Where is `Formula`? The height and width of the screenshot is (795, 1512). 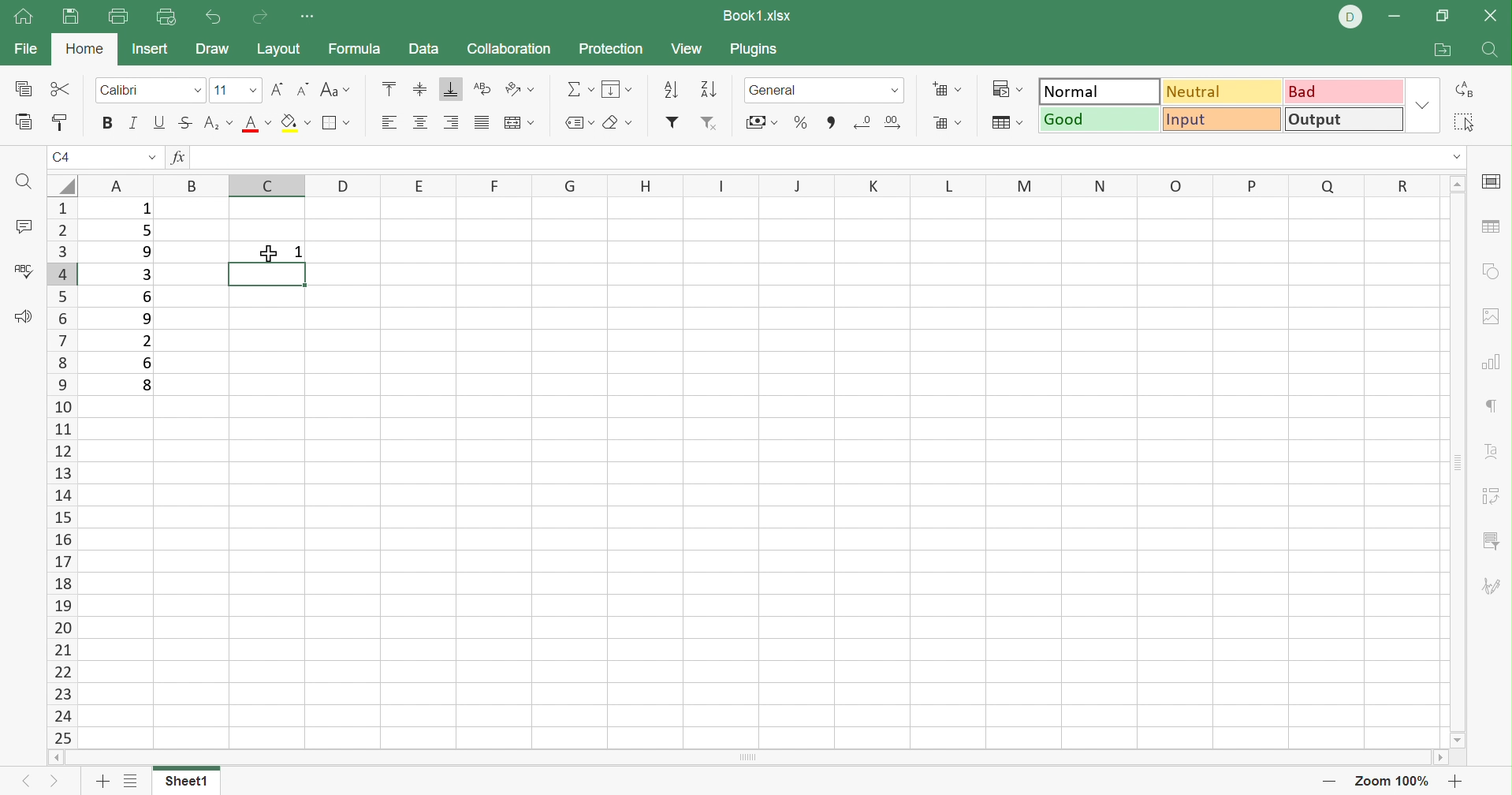 Formula is located at coordinates (363, 47).